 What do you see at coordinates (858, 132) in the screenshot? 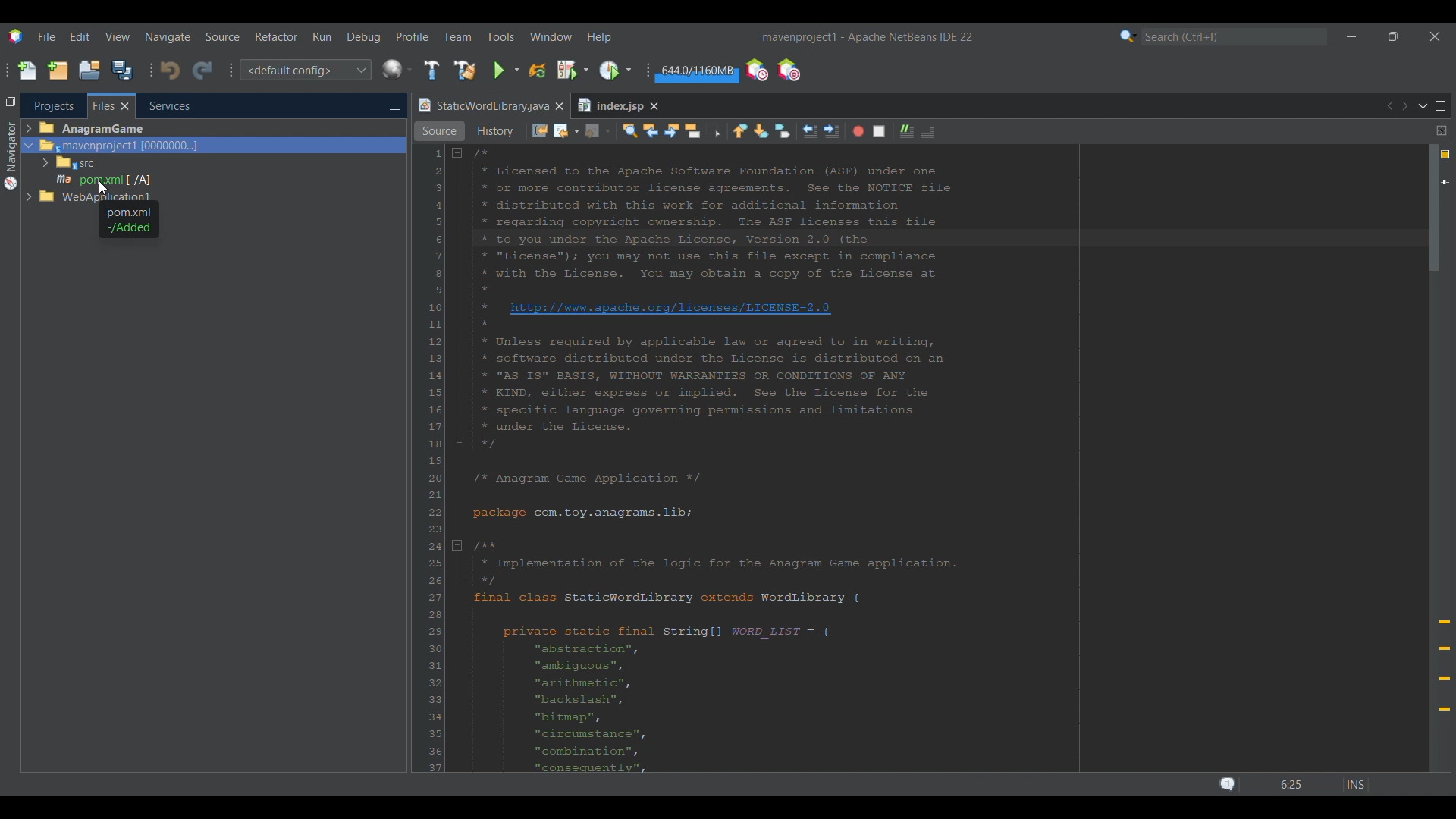
I see `Start macro recording` at bounding box center [858, 132].